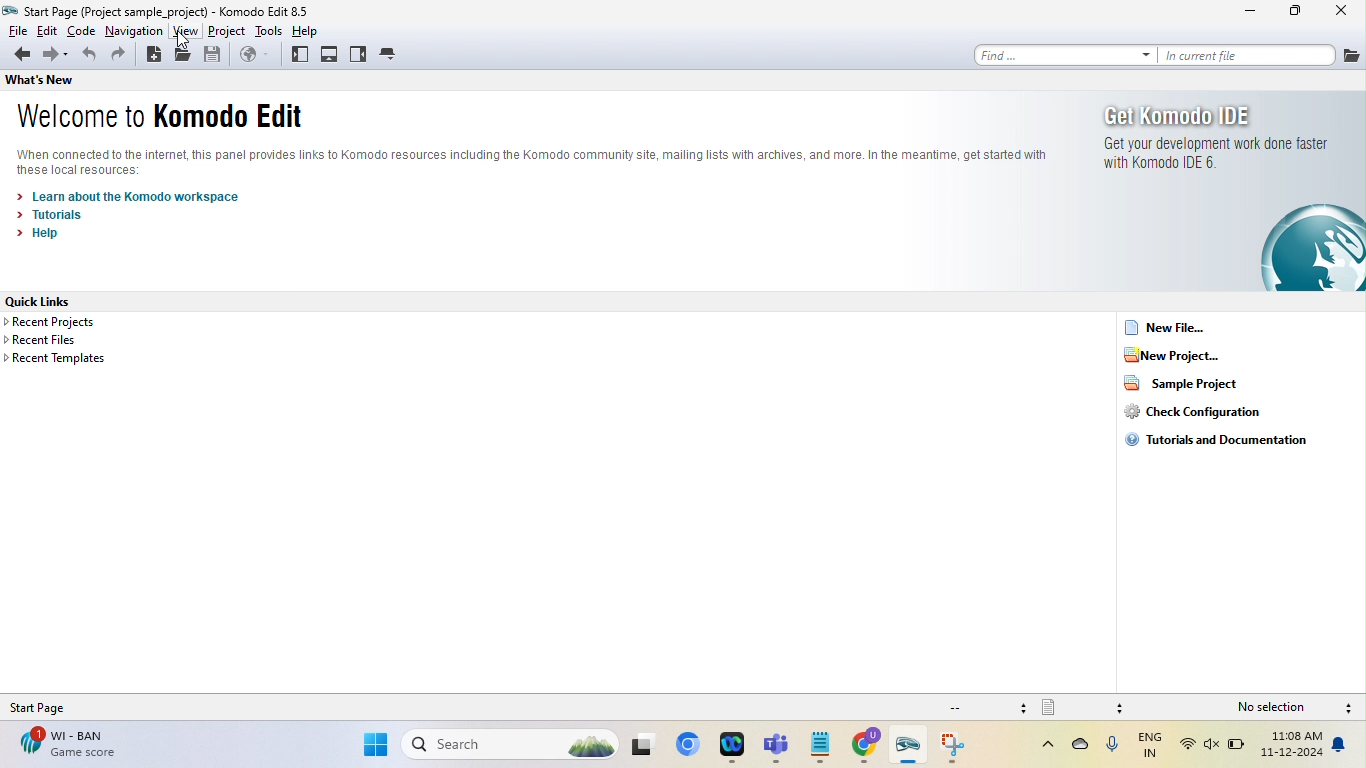 The height and width of the screenshot is (768, 1366). I want to click on new, so click(152, 57).